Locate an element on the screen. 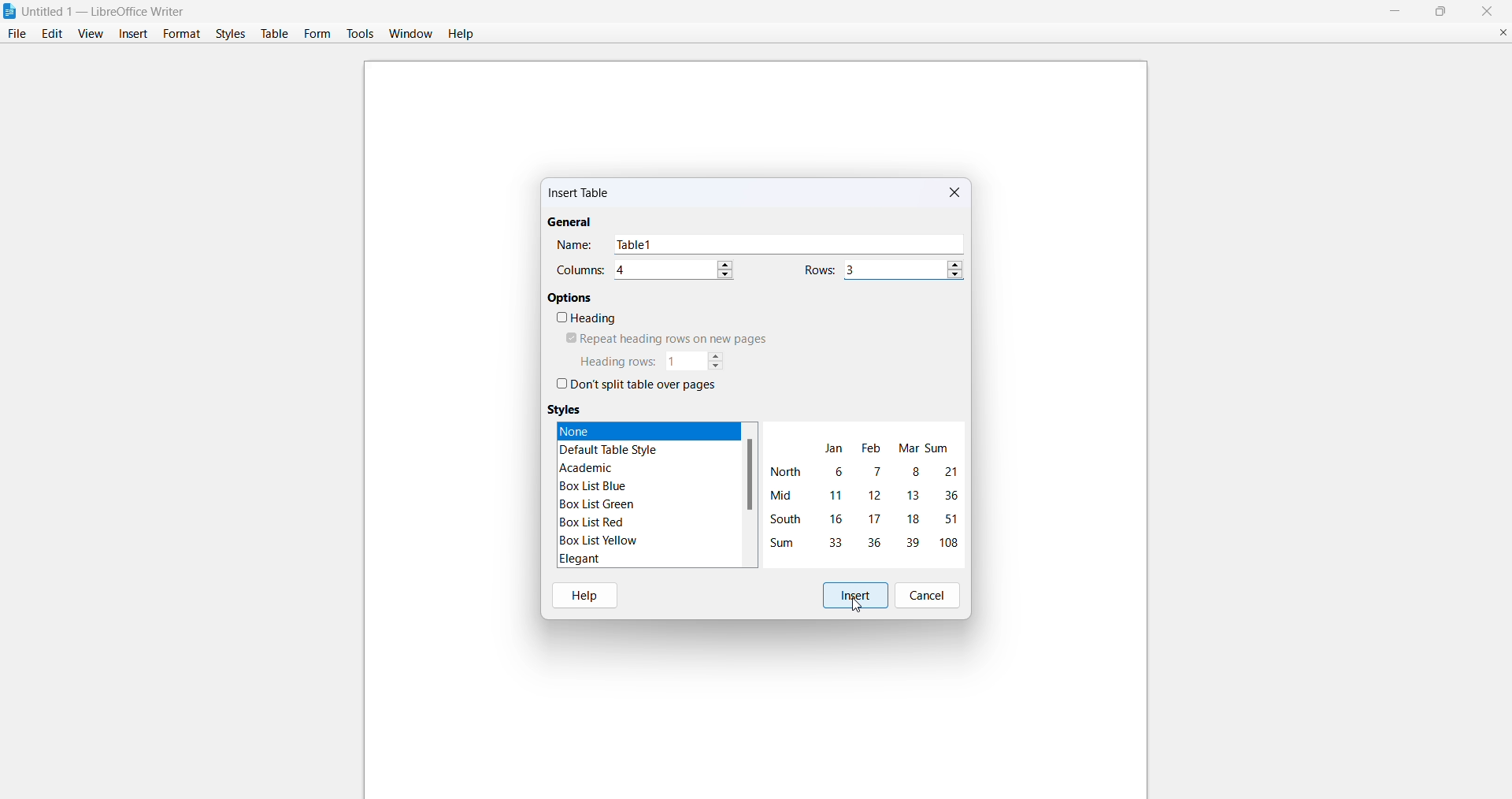  number of columns 4 is located at coordinates (663, 270).